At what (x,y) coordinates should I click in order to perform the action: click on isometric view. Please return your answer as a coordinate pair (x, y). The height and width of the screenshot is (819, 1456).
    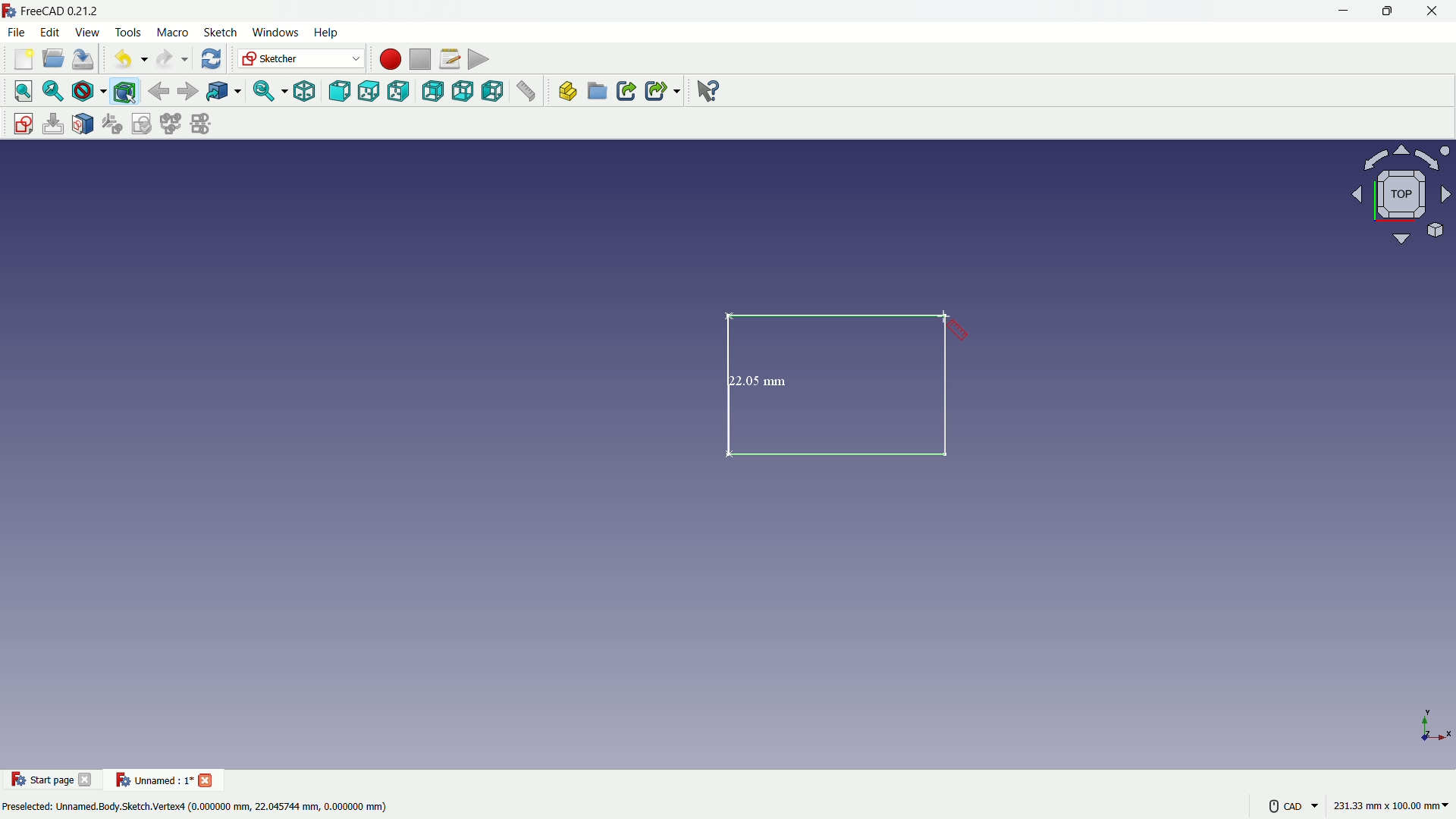
    Looking at the image, I should click on (300, 91).